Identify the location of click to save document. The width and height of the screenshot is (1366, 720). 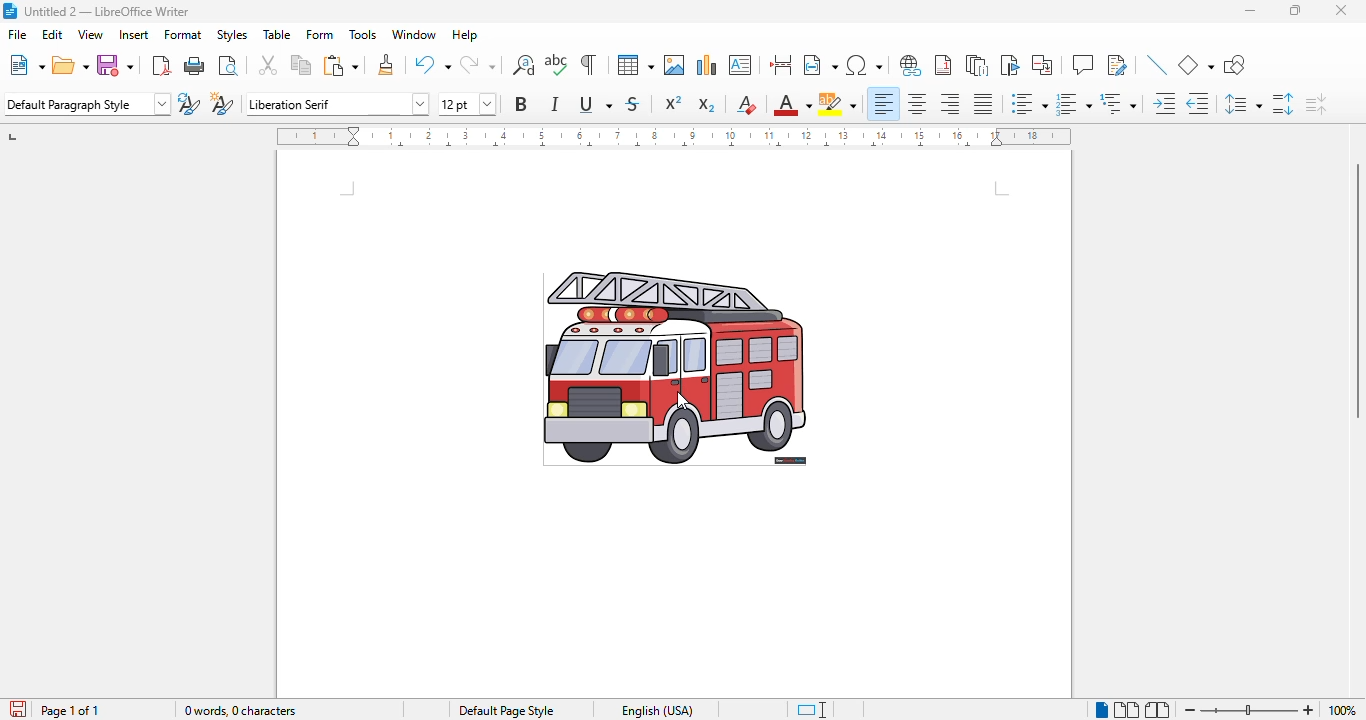
(19, 708).